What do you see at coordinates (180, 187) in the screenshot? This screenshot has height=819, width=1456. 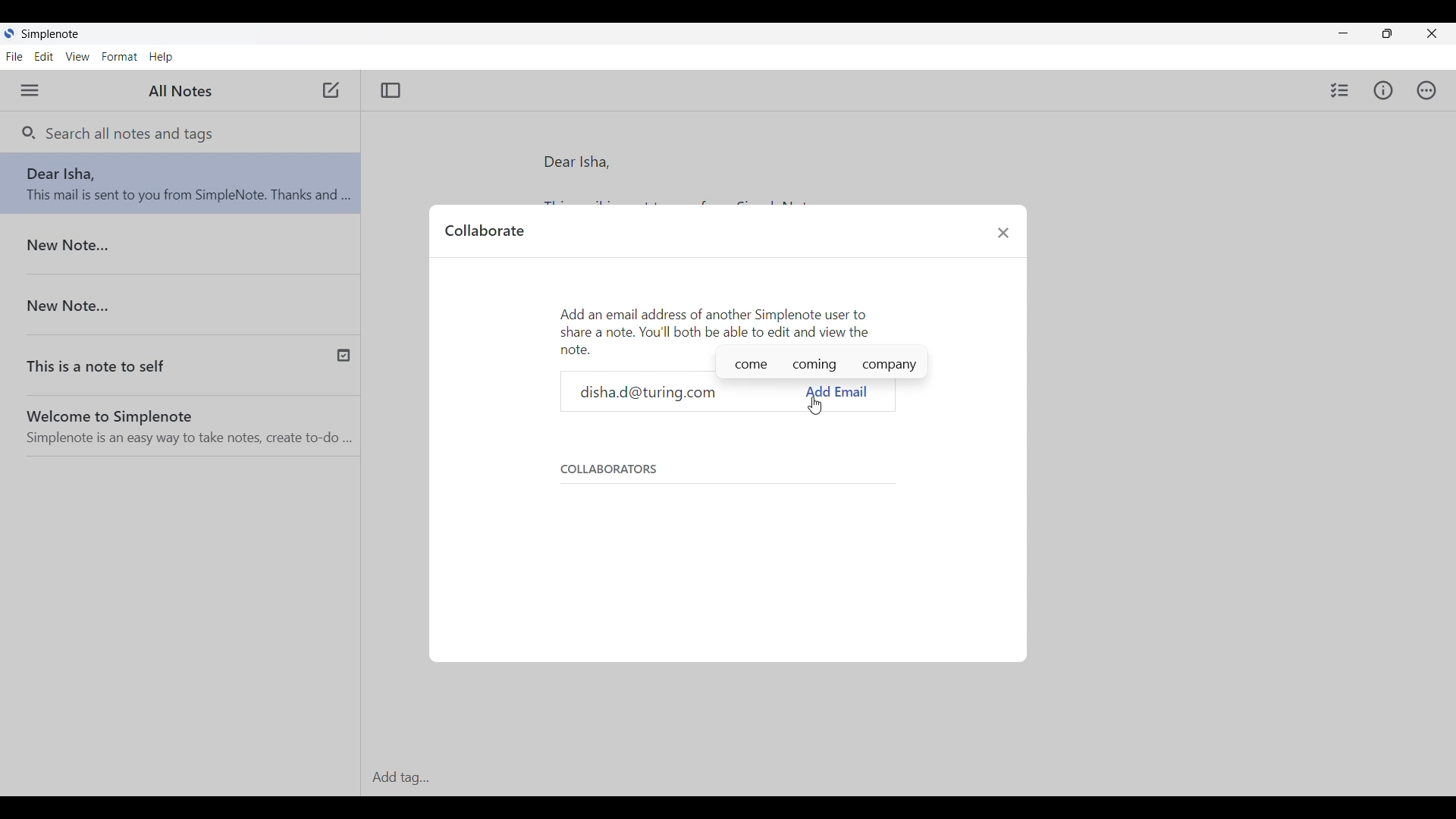 I see `Dear Isha` at bounding box center [180, 187].